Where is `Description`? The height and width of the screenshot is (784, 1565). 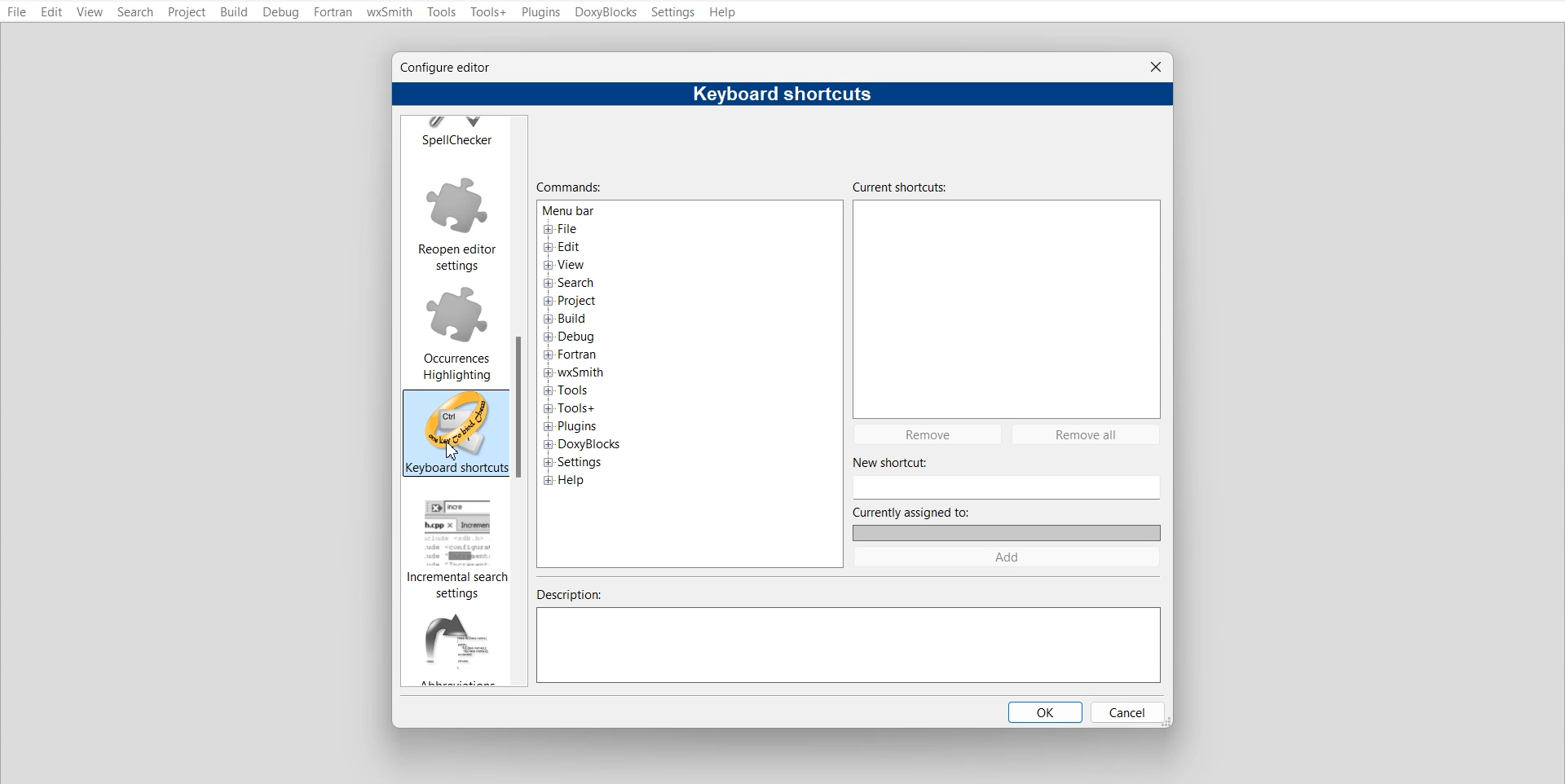
Description is located at coordinates (850, 636).